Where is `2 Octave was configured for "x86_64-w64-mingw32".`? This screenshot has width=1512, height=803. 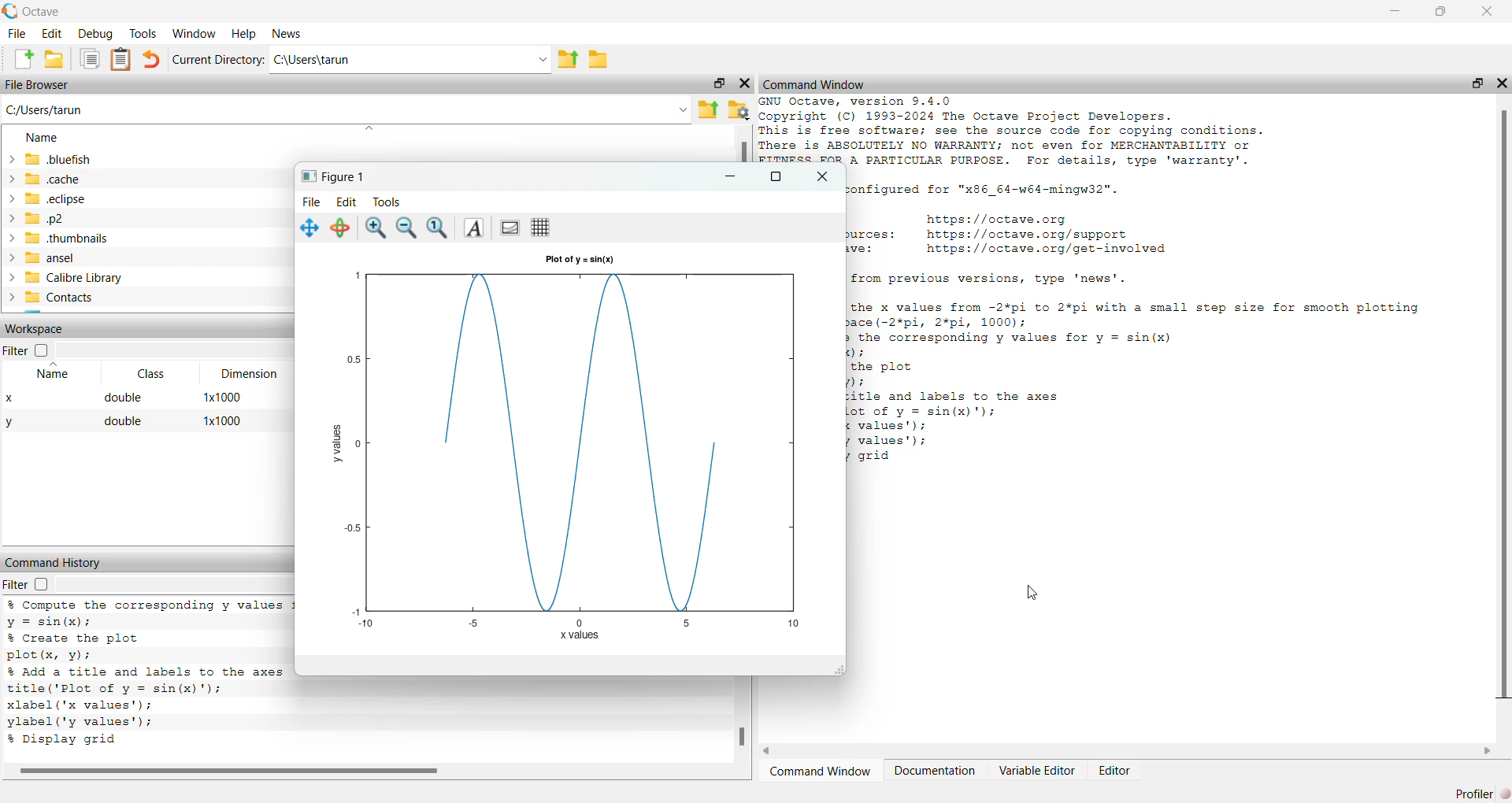 2 Octave was configured for "x86_64-w64-mingw32". is located at coordinates (1013, 190).